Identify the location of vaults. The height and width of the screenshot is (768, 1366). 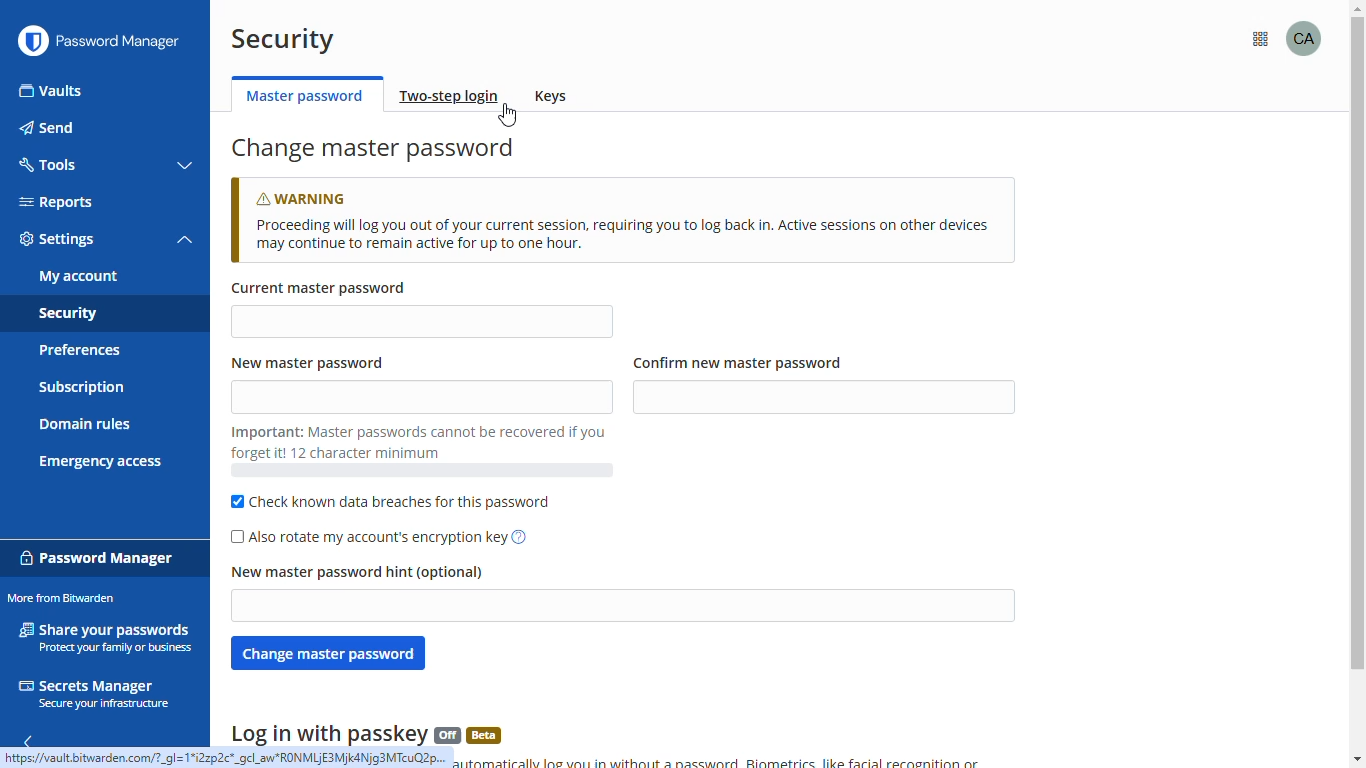
(52, 91).